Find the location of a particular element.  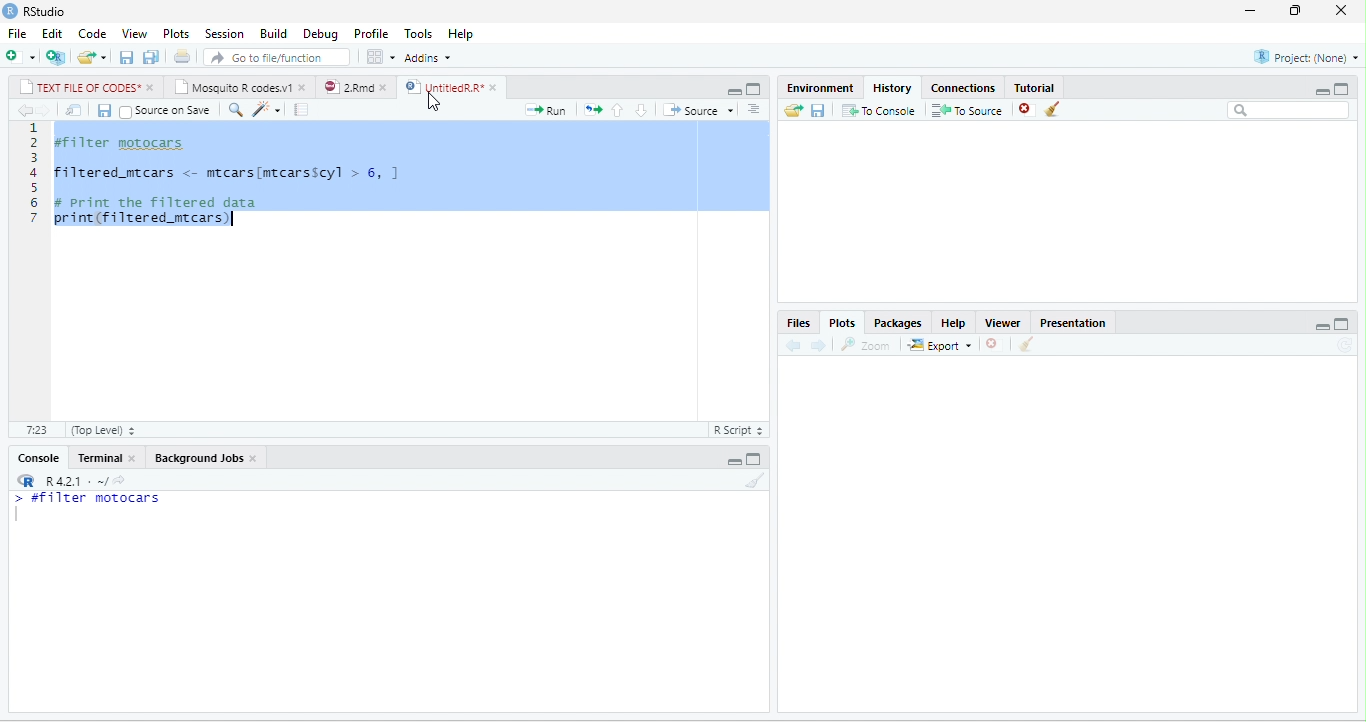

Background Jobs is located at coordinates (197, 458).